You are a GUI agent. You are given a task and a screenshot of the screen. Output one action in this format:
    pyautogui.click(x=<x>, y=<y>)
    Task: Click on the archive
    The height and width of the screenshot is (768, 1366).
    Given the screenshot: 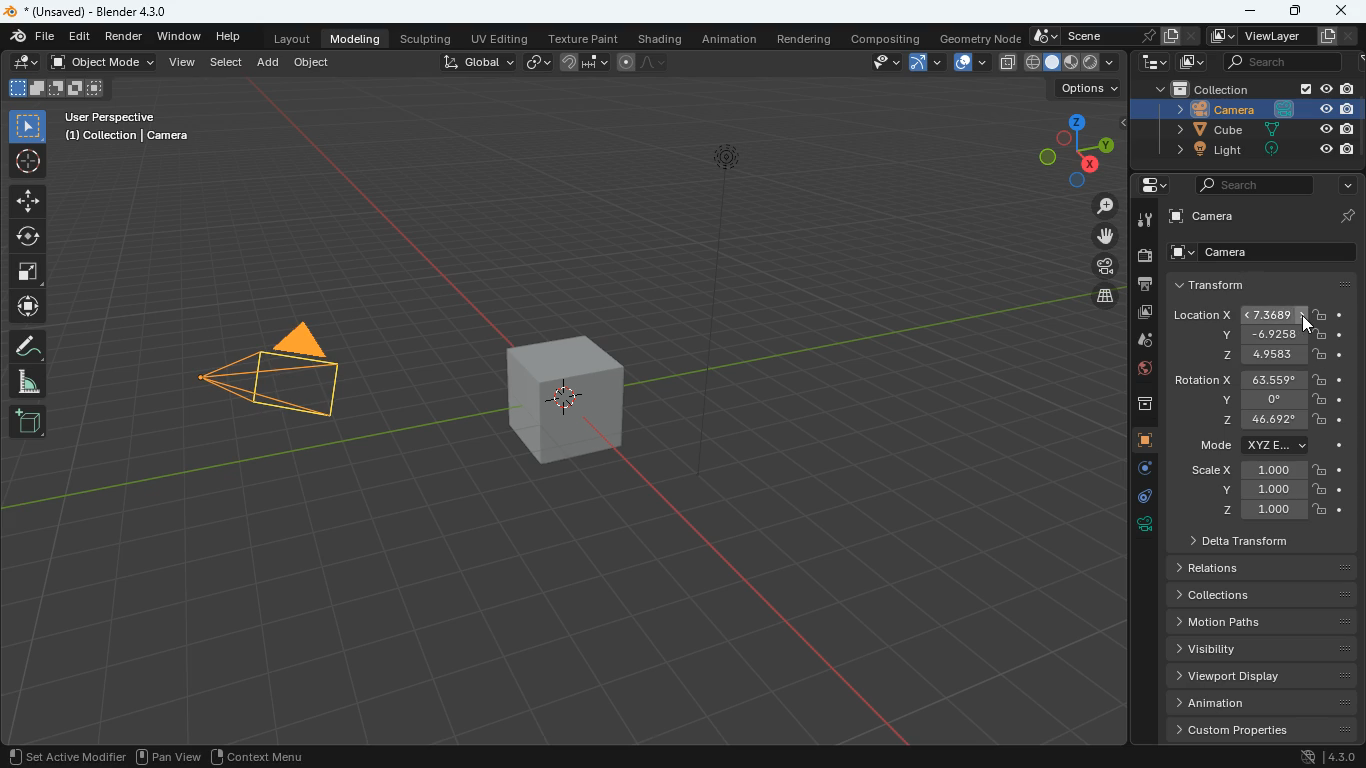 What is the action you would take?
    pyautogui.click(x=1133, y=405)
    